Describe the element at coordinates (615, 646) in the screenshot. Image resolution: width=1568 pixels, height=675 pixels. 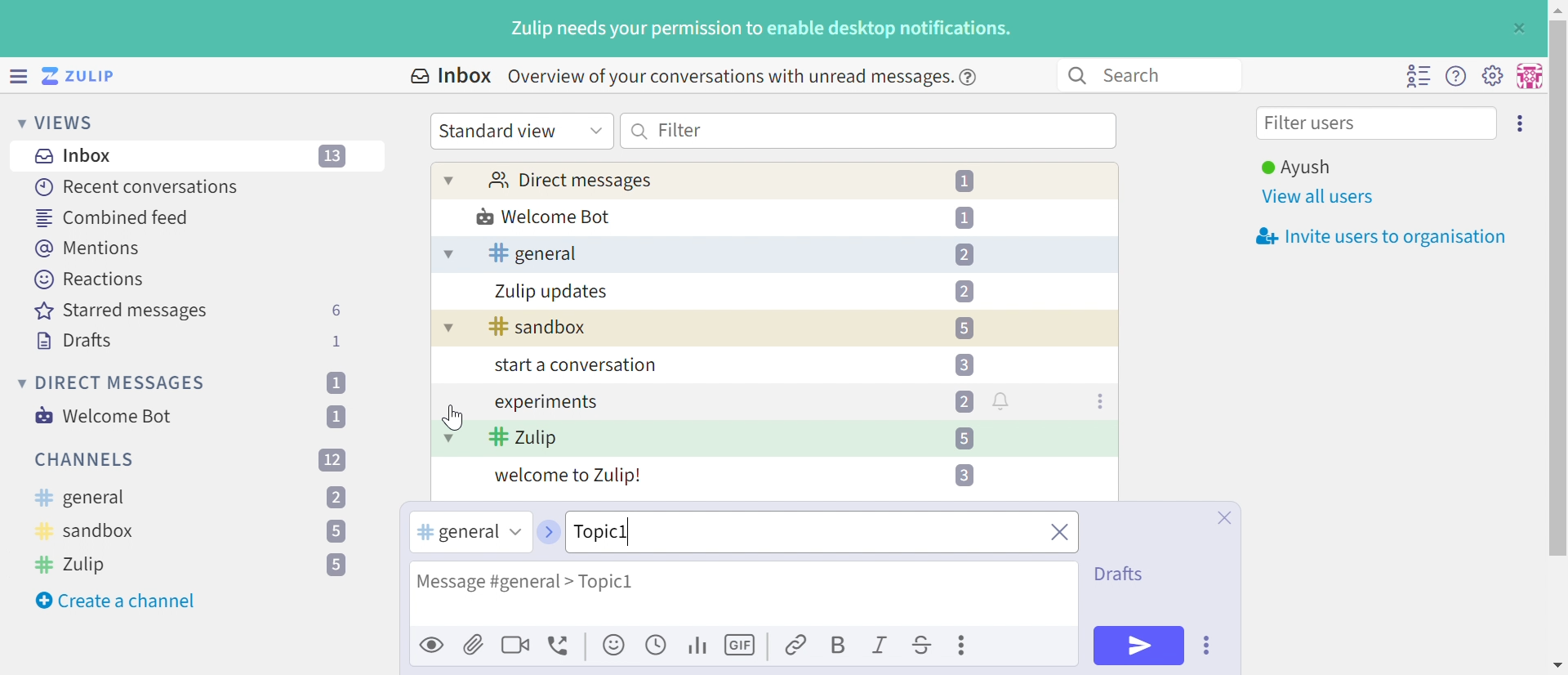
I see `Add emoji` at that location.